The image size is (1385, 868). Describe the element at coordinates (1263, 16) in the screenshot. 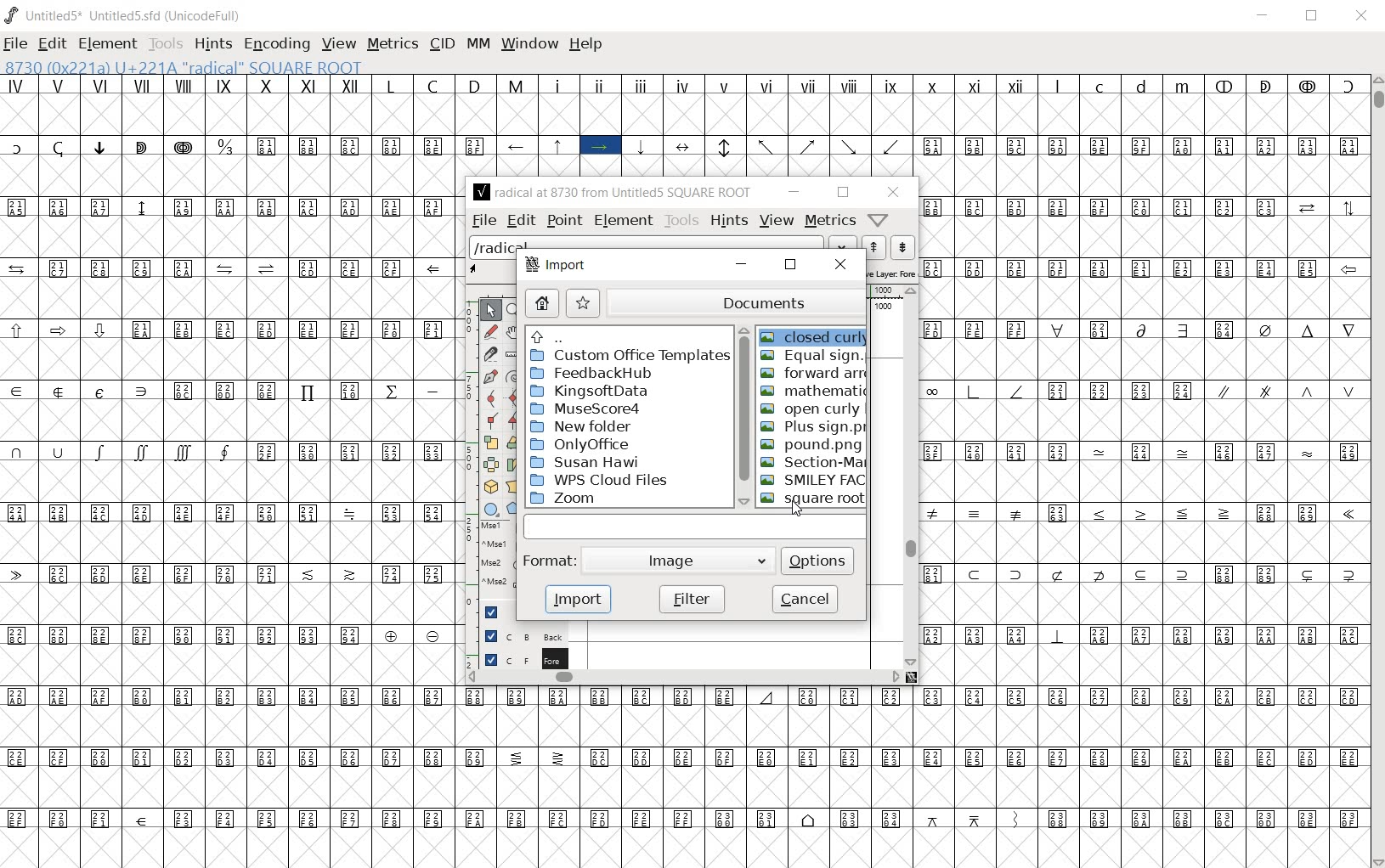

I see `MINIMIZE` at that location.